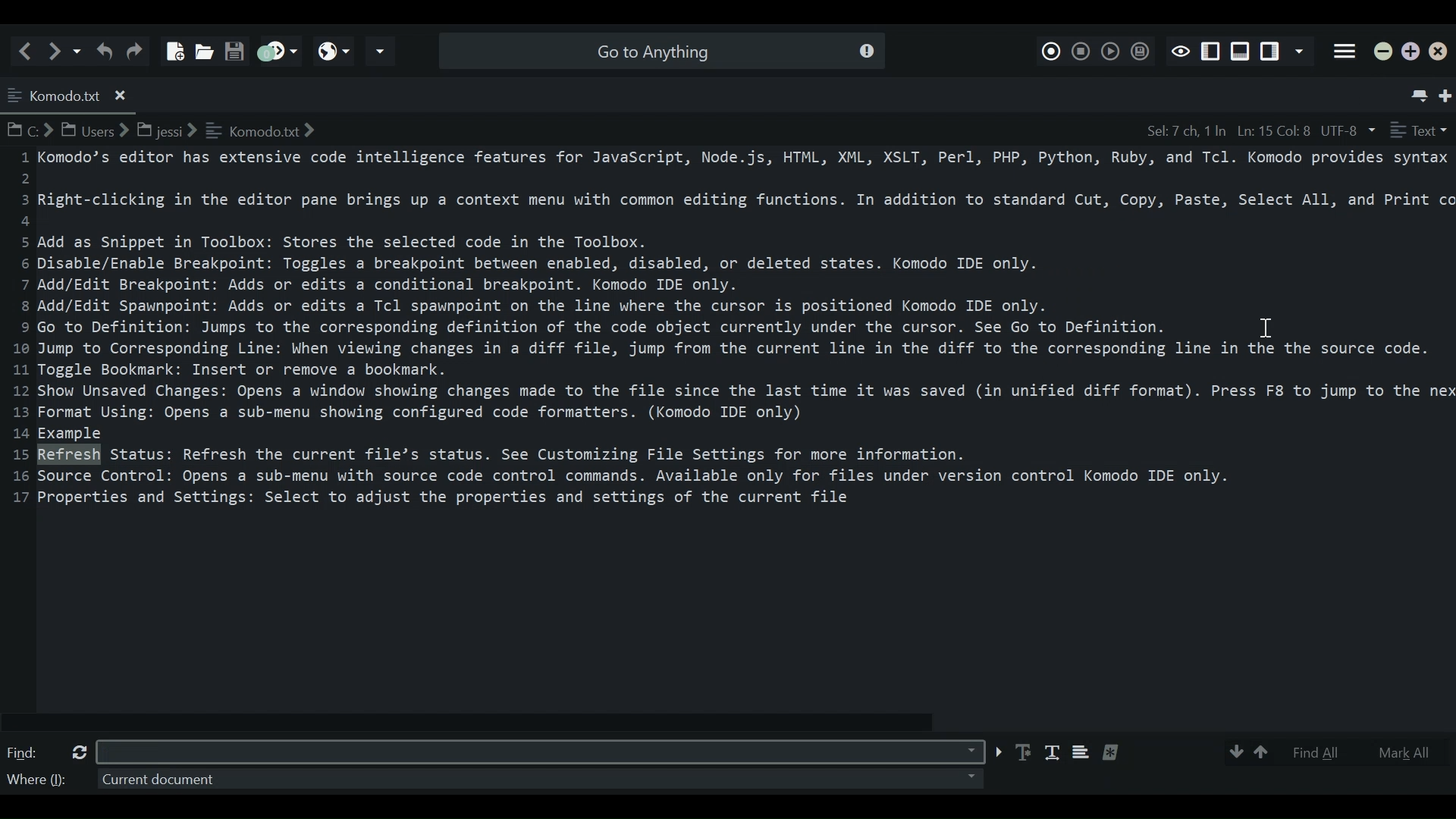  What do you see at coordinates (1326, 752) in the screenshot?
I see `Find All` at bounding box center [1326, 752].